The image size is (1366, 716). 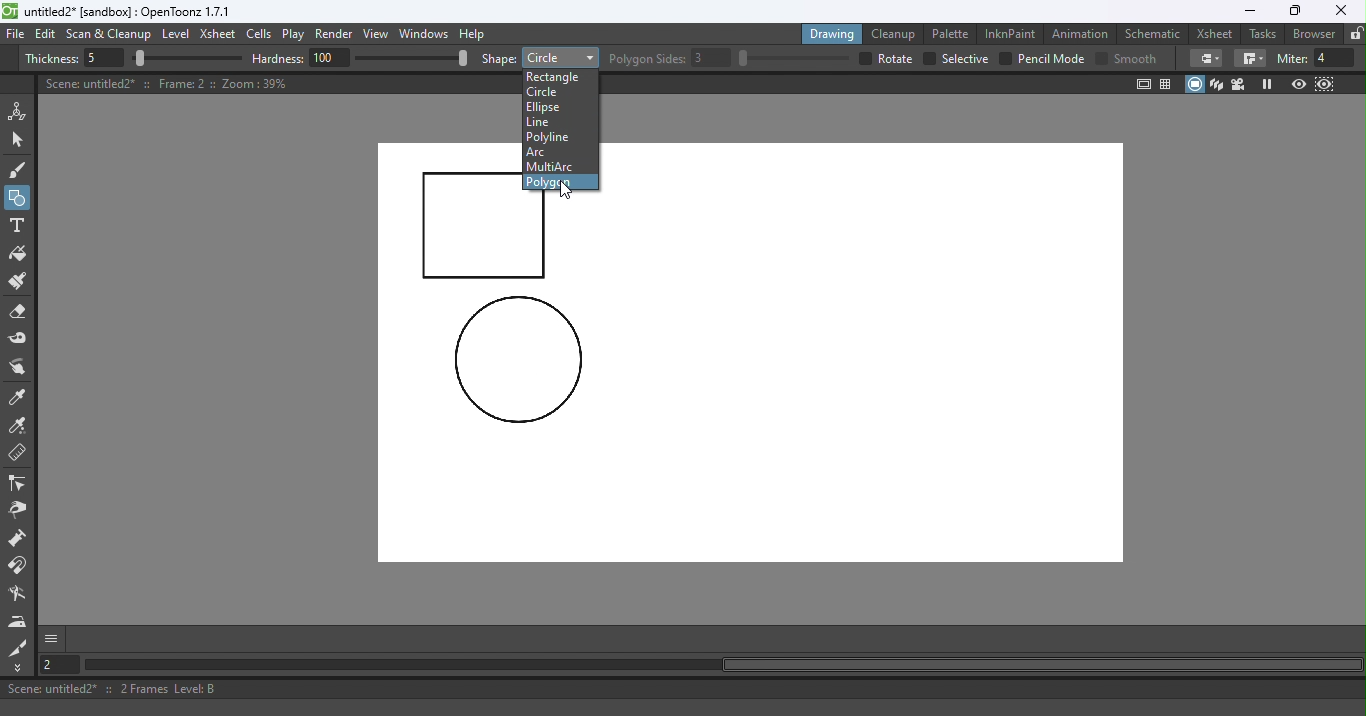 What do you see at coordinates (863, 58) in the screenshot?
I see `checkbox` at bounding box center [863, 58].